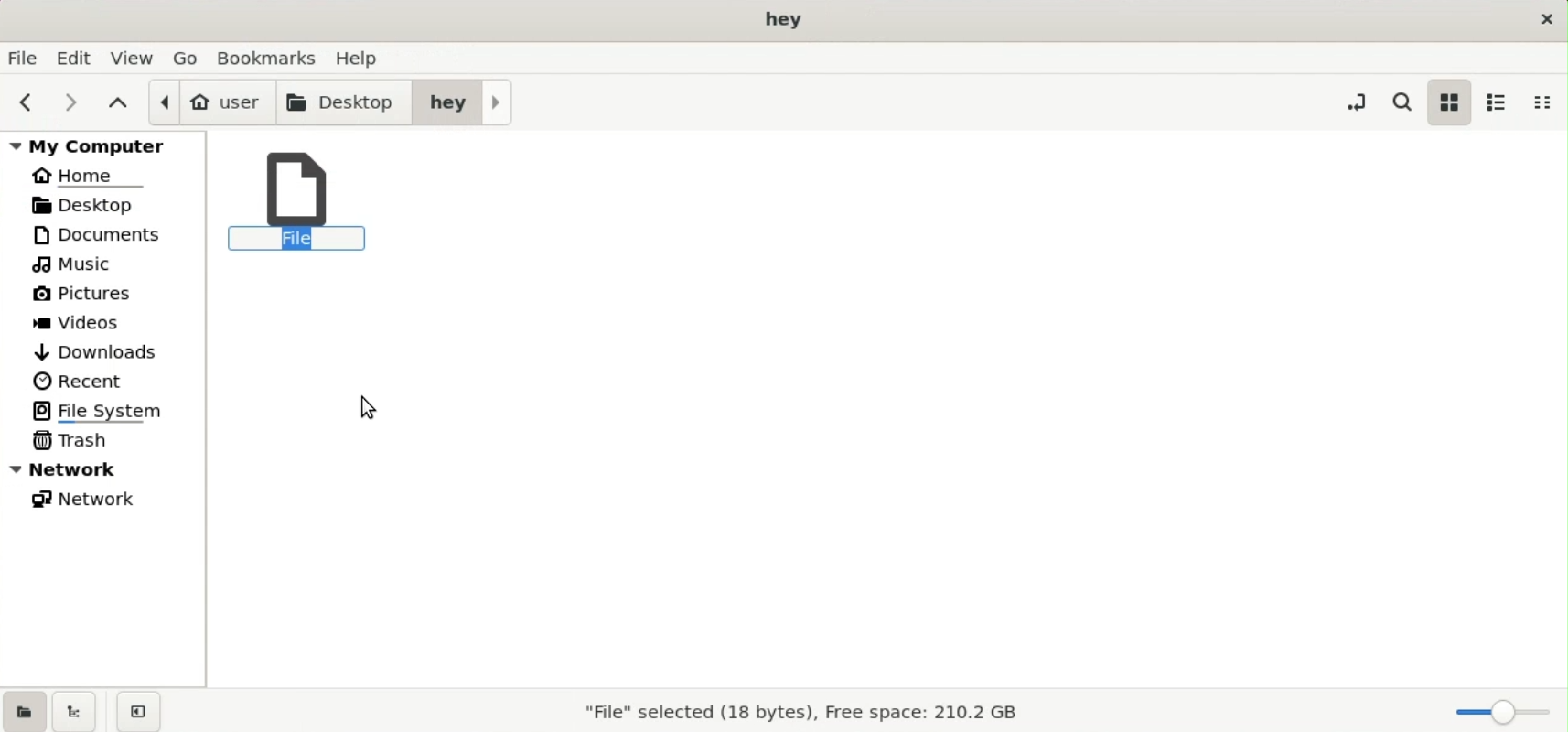 The height and width of the screenshot is (732, 1568). I want to click on help, so click(362, 55).